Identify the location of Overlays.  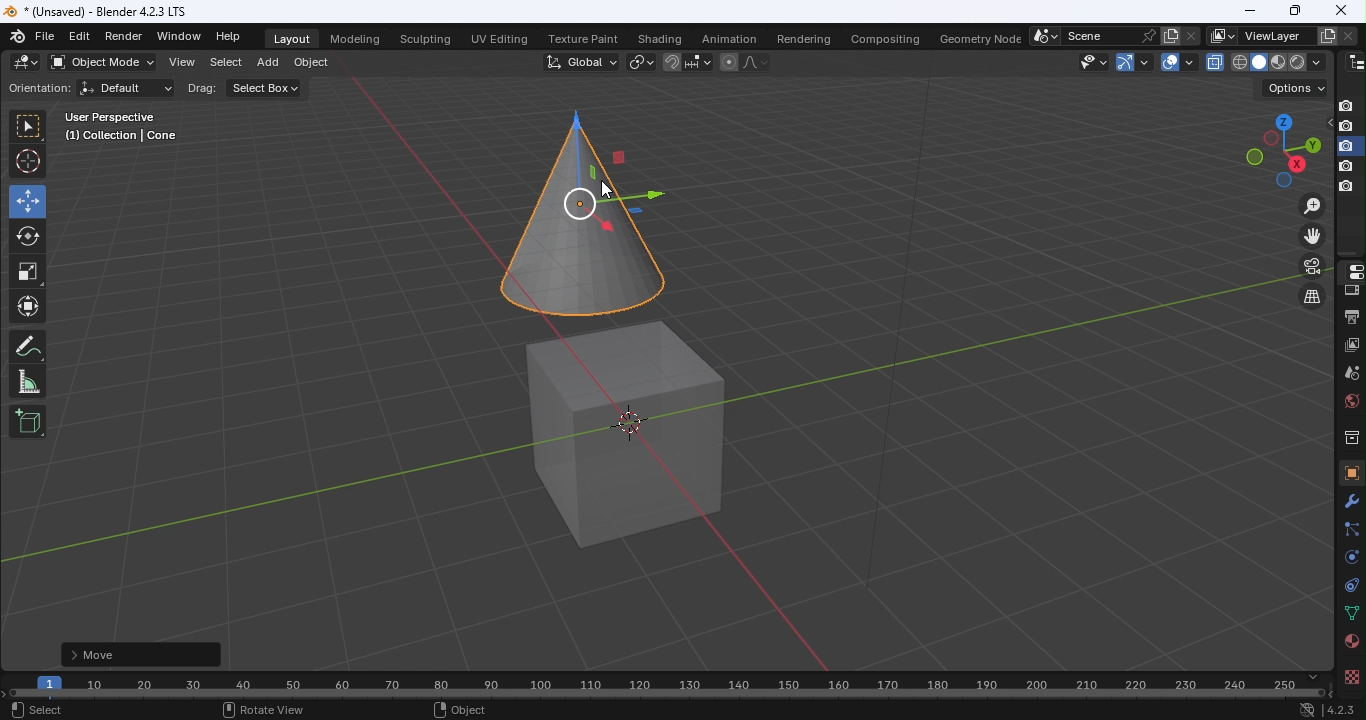
(1189, 62).